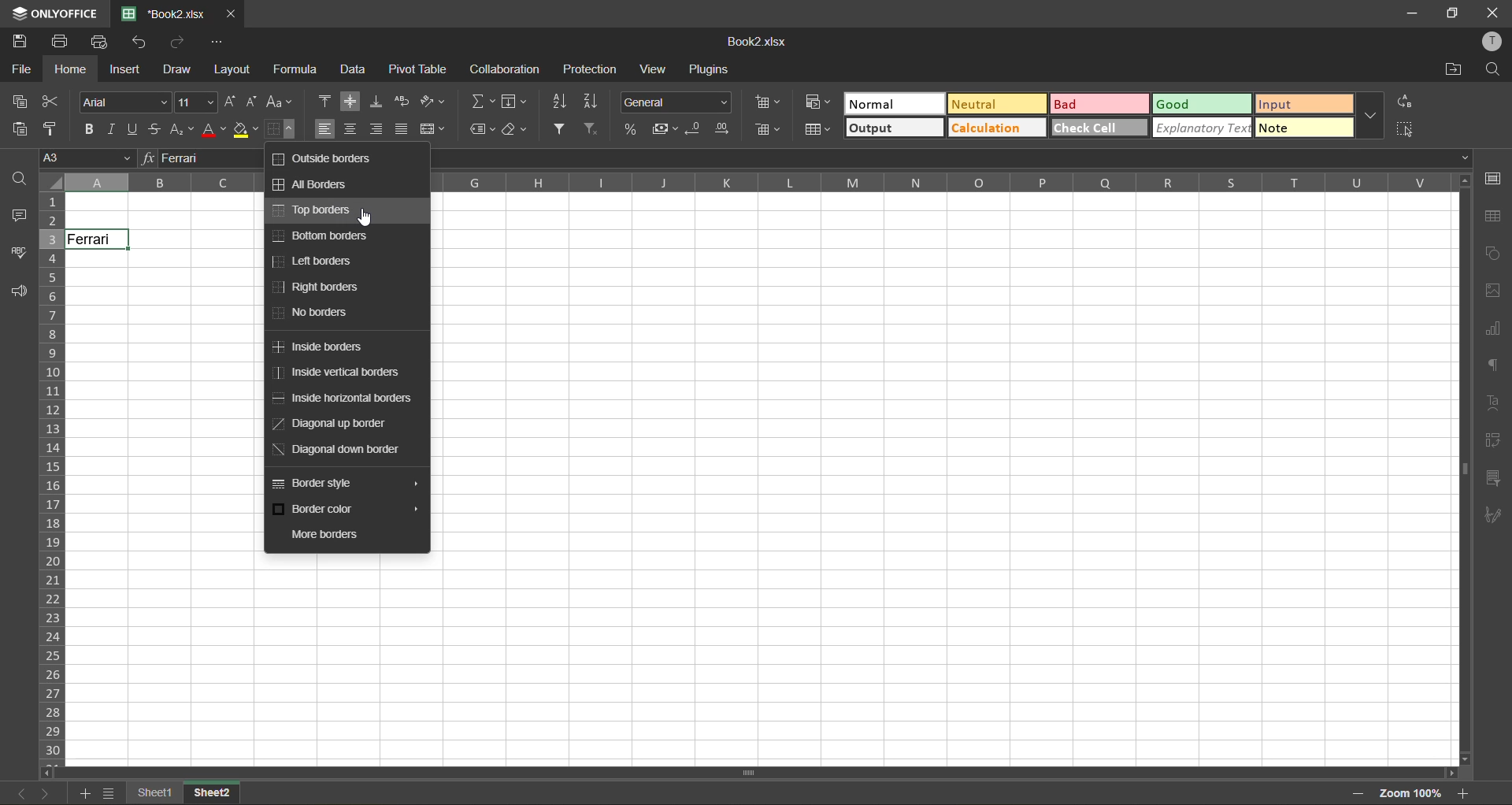  What do you see at coordinates (656, 68) in the screenshot?
I see `view` at bounding box center [656, 68].